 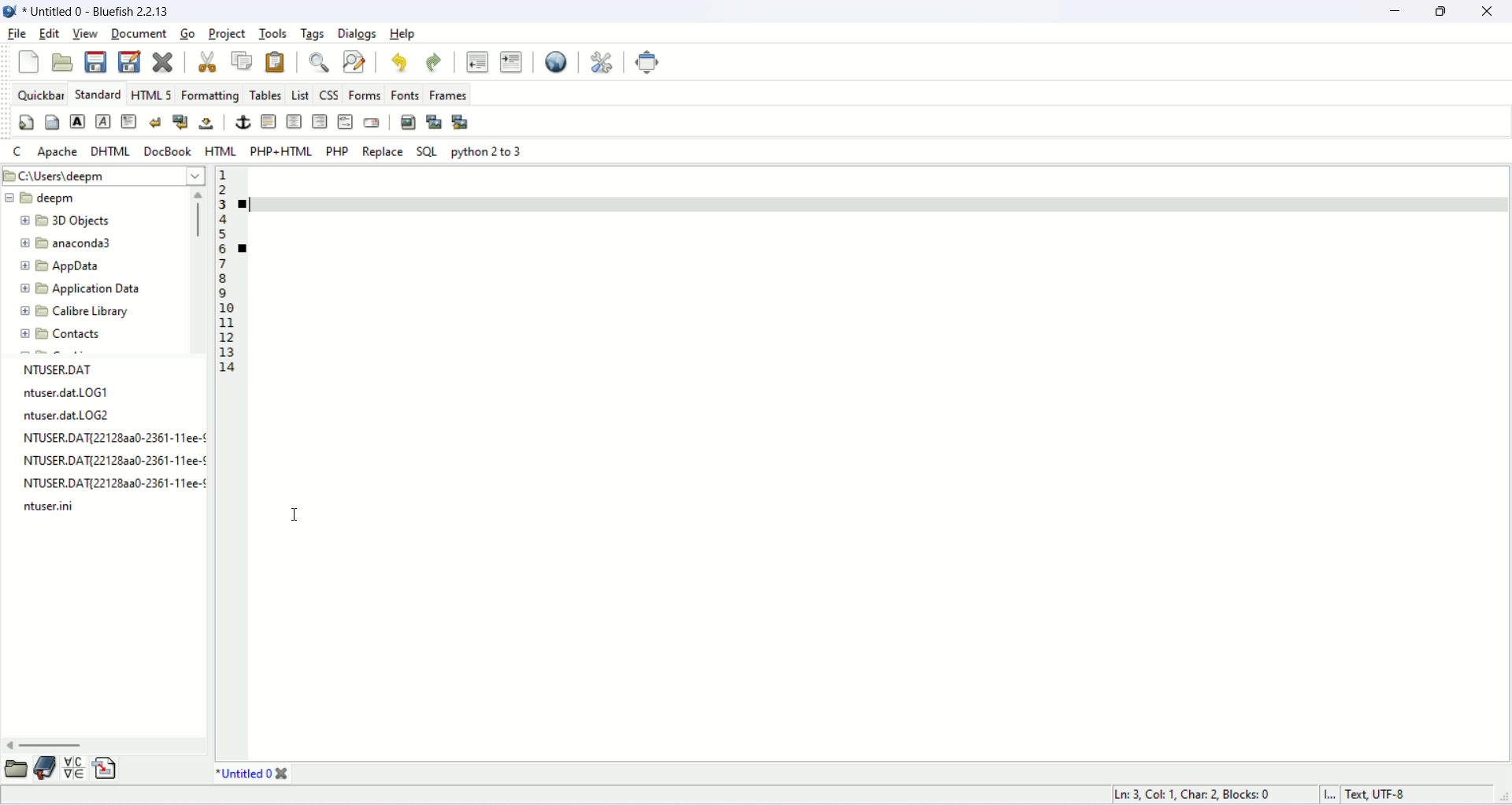 What do you see at coordinates (67, 335) in the screenshot?
I see `folder name` at bounding box center [67, 335].